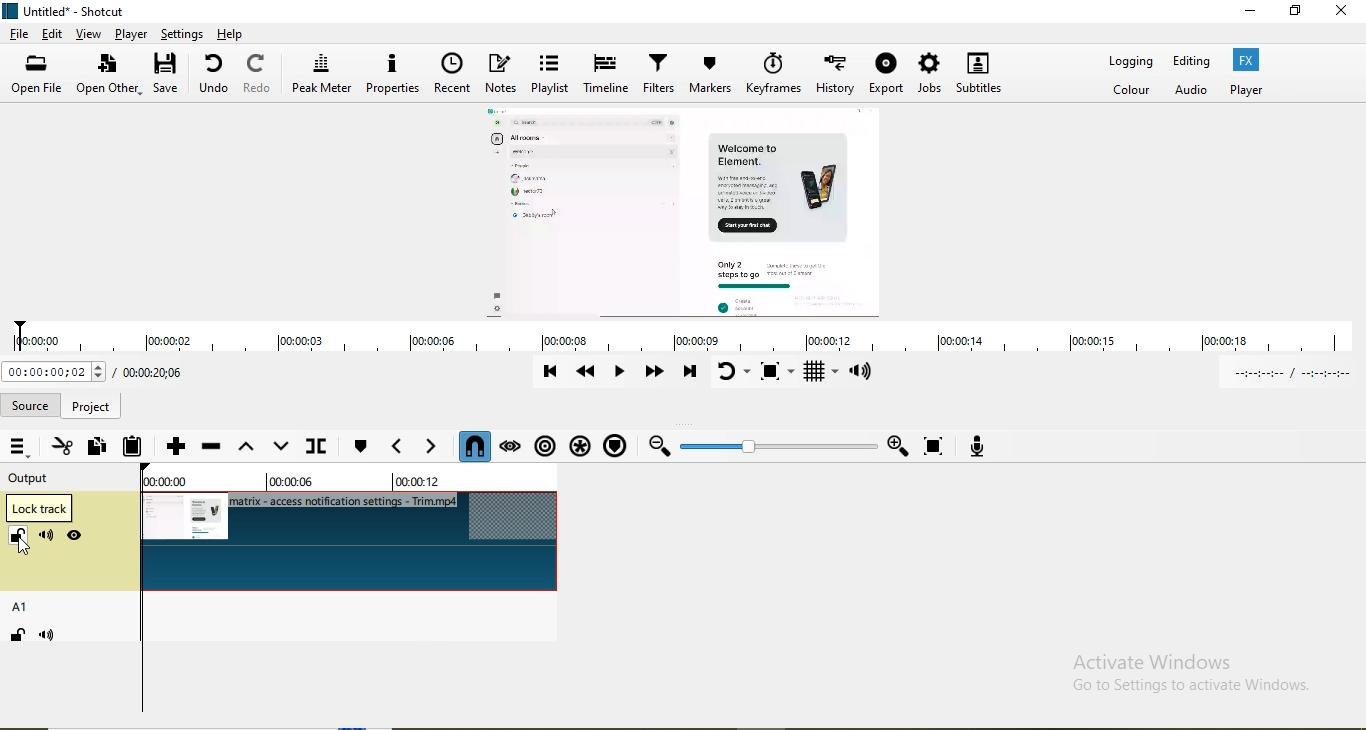  I want to click on Append, so click(176, 450).